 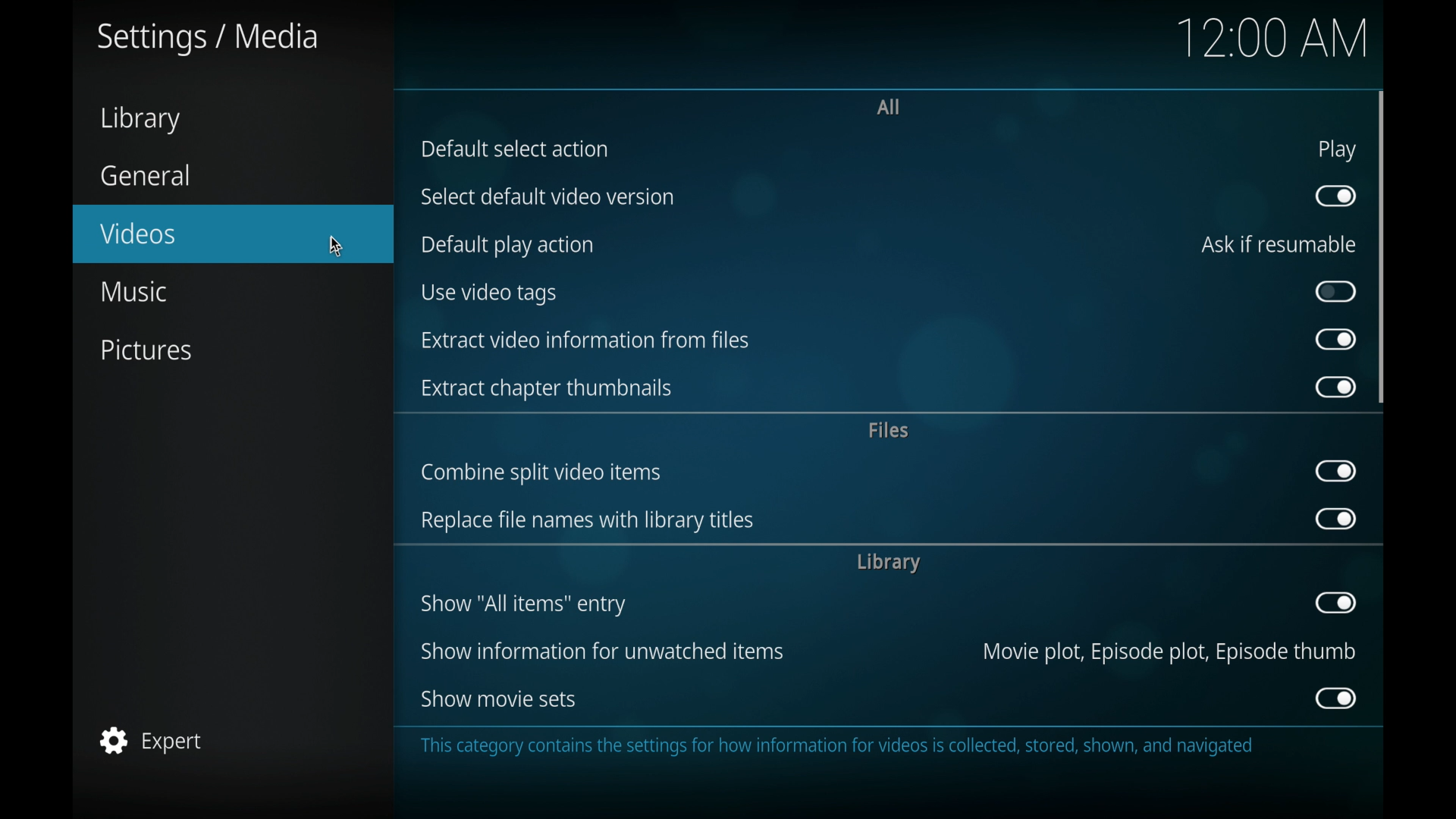 I want to click on settings/media, so click(x=206, y=38).